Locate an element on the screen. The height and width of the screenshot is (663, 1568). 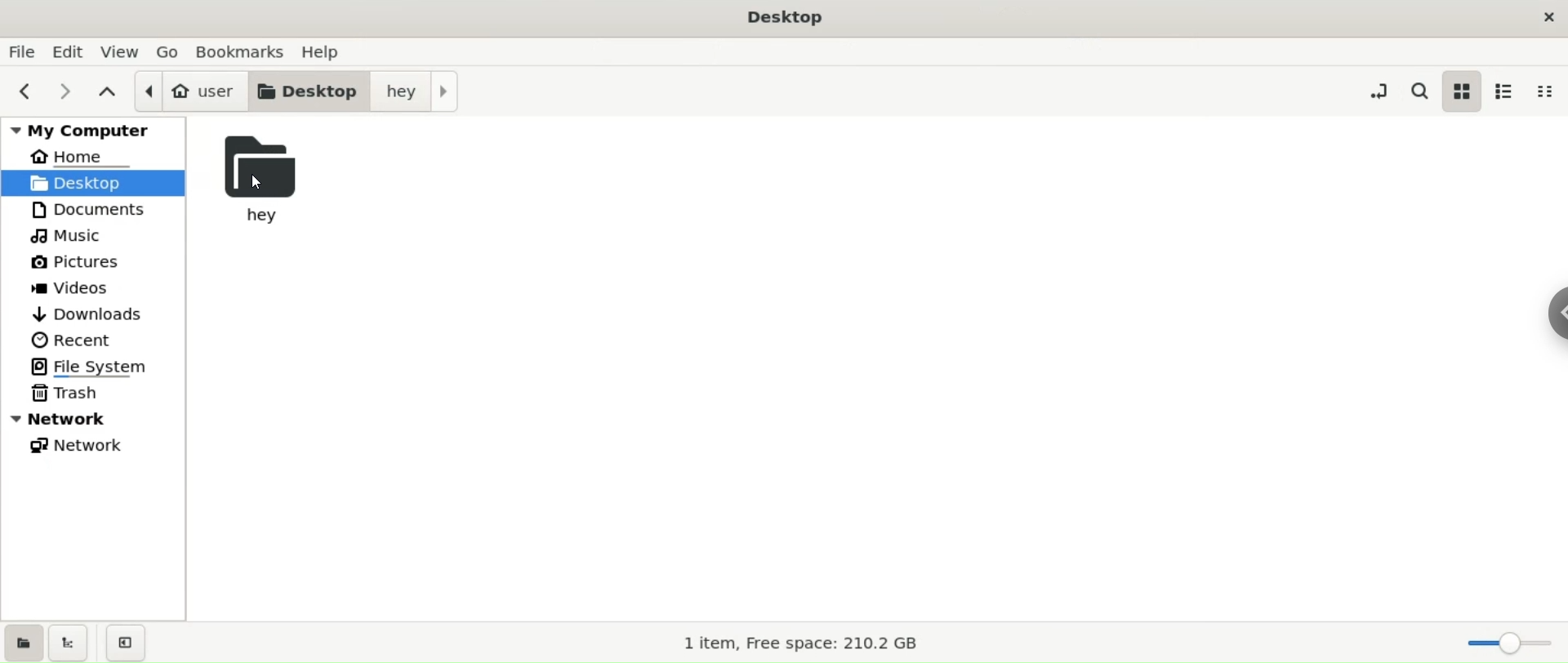
compact view is located at coordinates (1549, 91).